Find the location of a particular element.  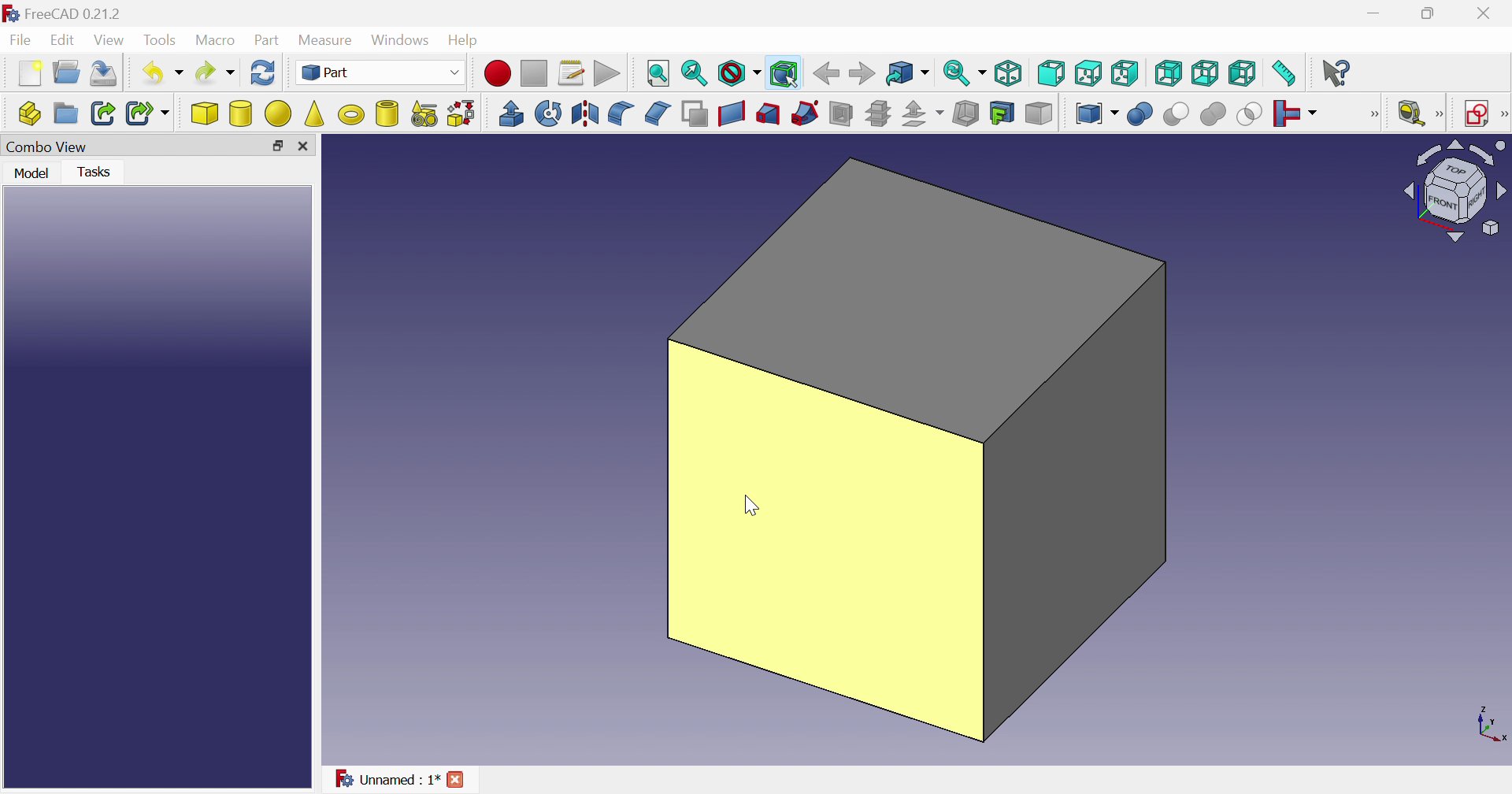

Cube is located at coordinates (205, 113).